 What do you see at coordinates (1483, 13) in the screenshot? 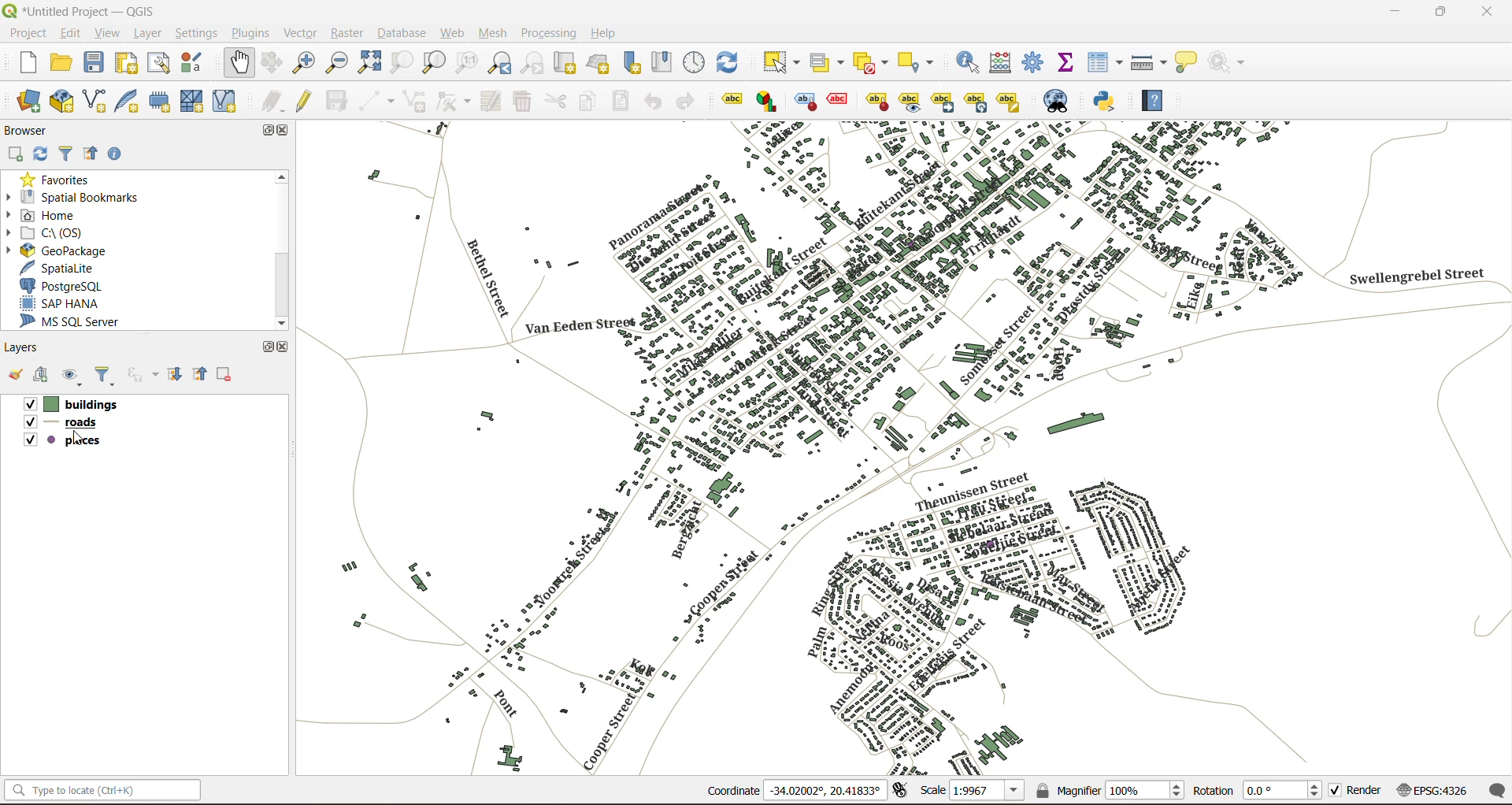
I see `close` at bounding box center [1483, 13].